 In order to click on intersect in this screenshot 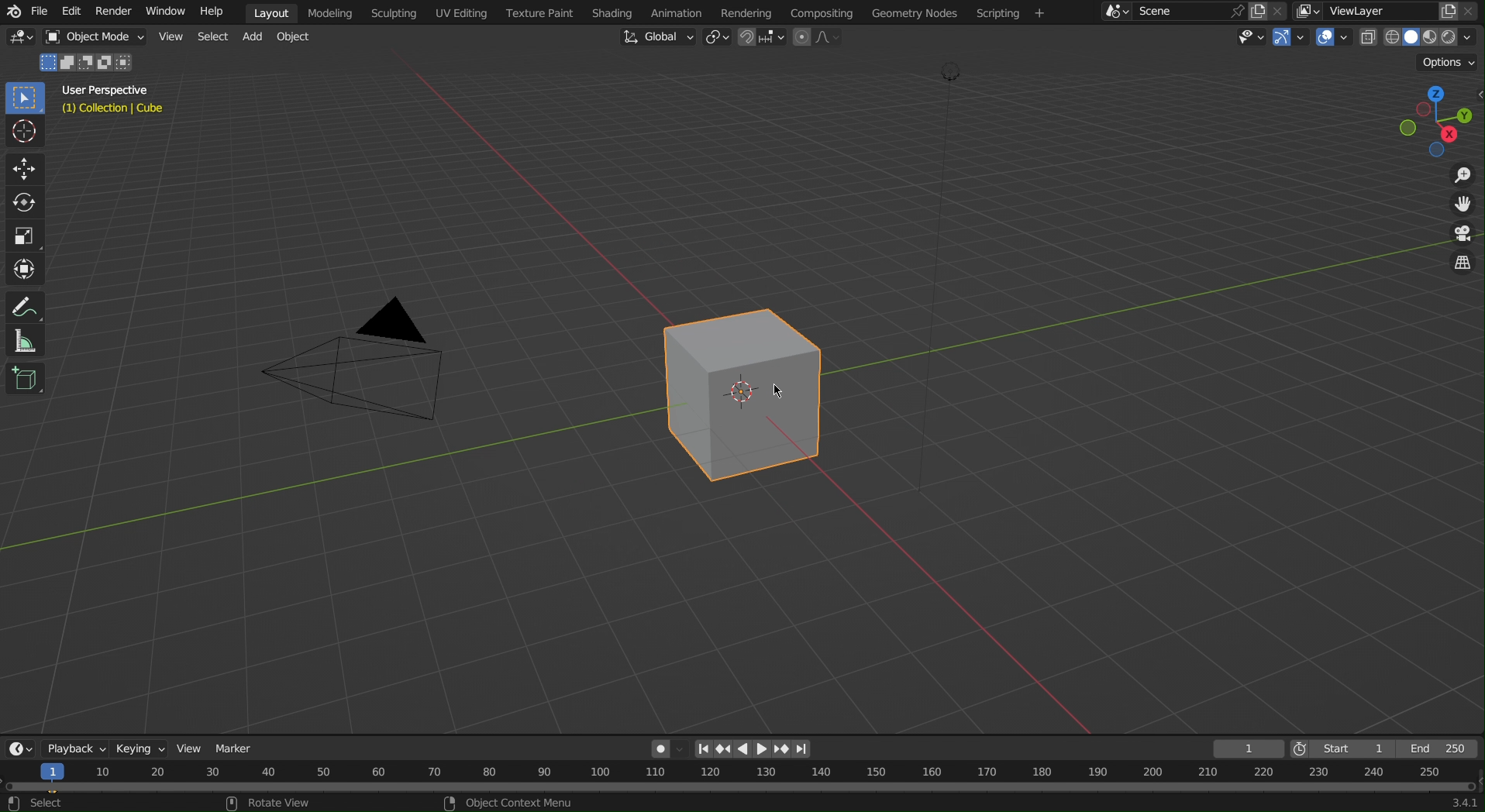, I will do `click(129, 63)`.